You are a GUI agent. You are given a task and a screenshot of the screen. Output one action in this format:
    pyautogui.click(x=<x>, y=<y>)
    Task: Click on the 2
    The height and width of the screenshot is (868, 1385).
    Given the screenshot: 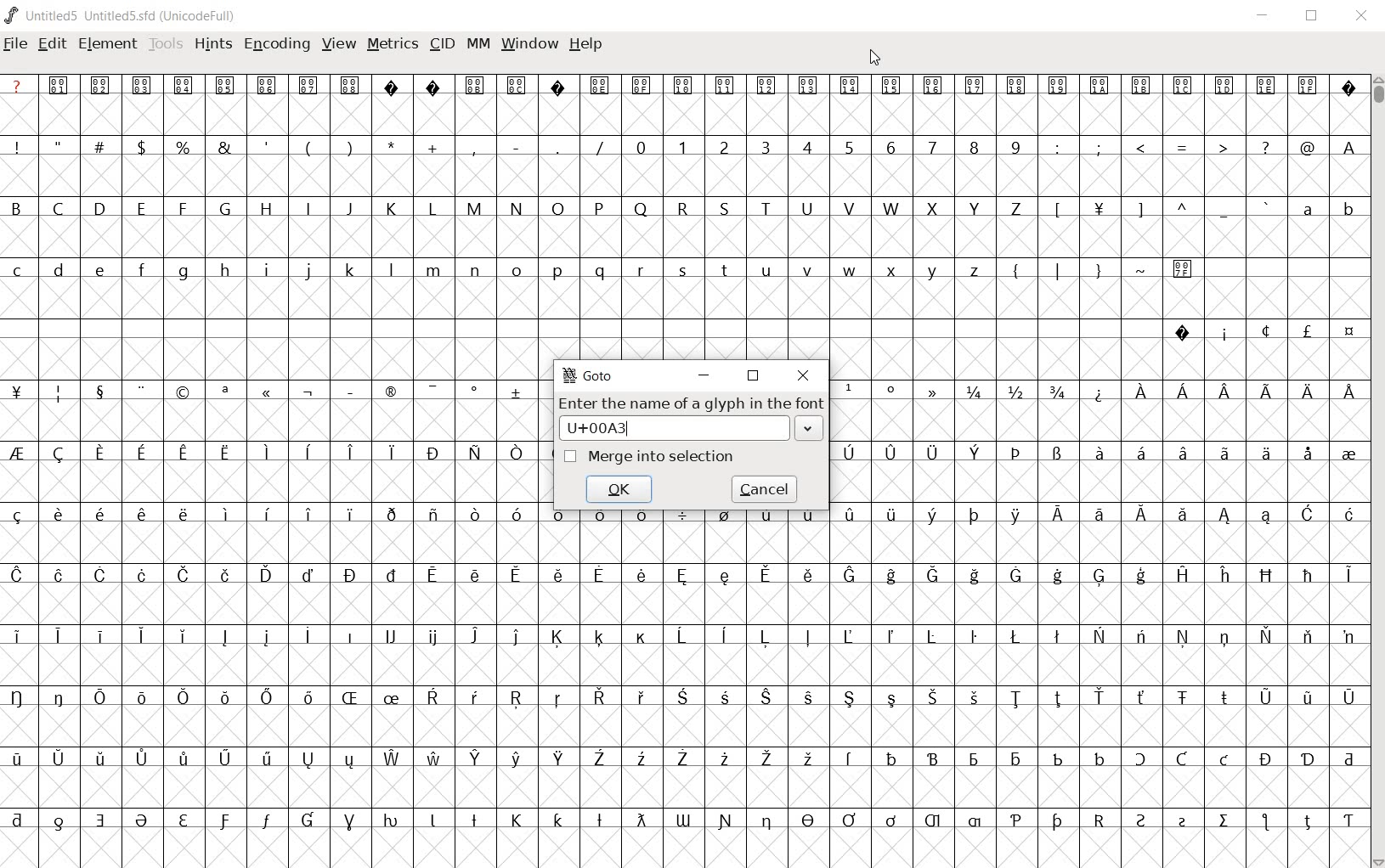 What is the action you would take?
    pyautogui.click(x=725, y=146)
    